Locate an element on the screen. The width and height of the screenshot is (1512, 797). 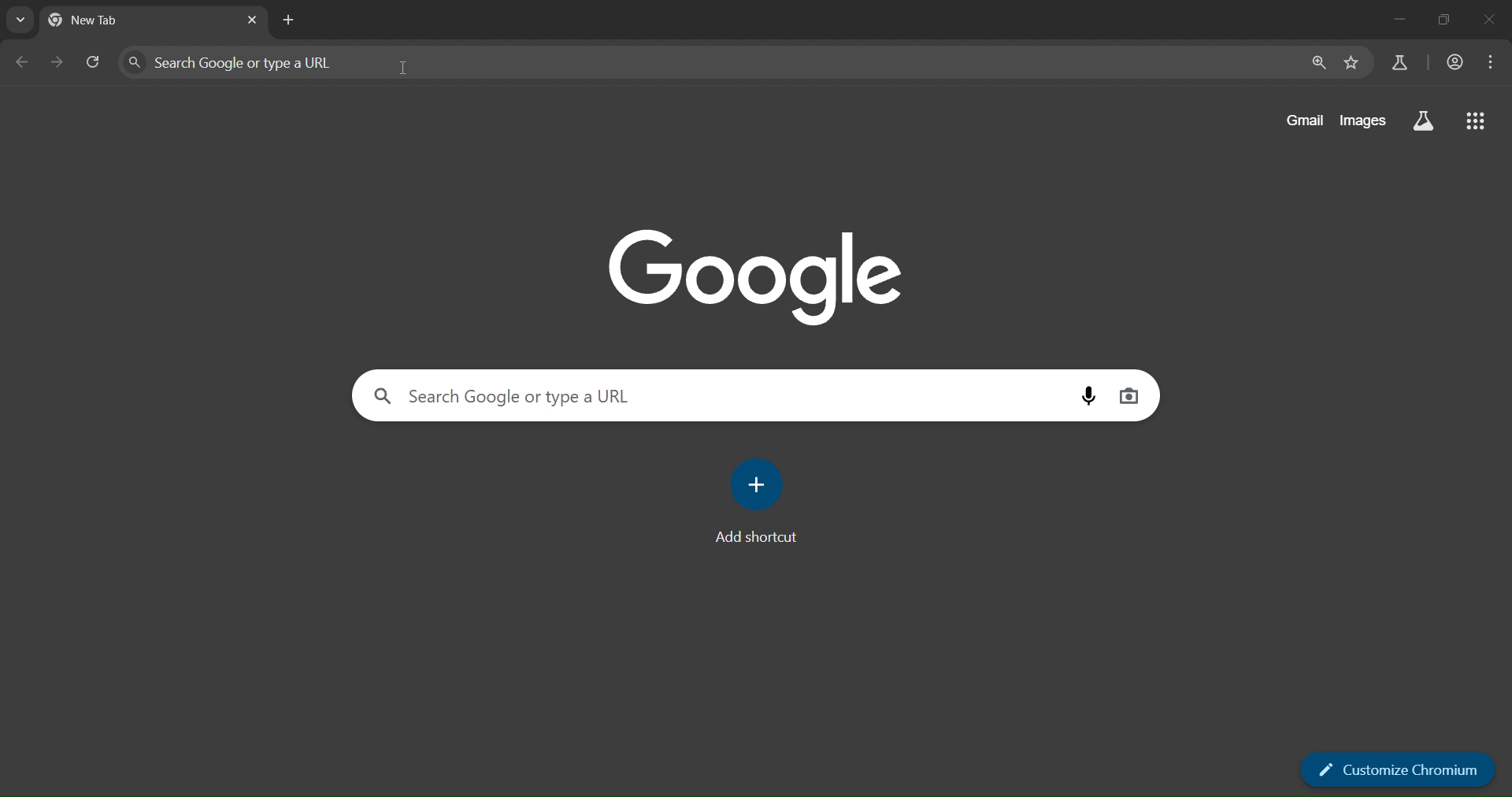
go back one page is located at coordinates (25, 62).